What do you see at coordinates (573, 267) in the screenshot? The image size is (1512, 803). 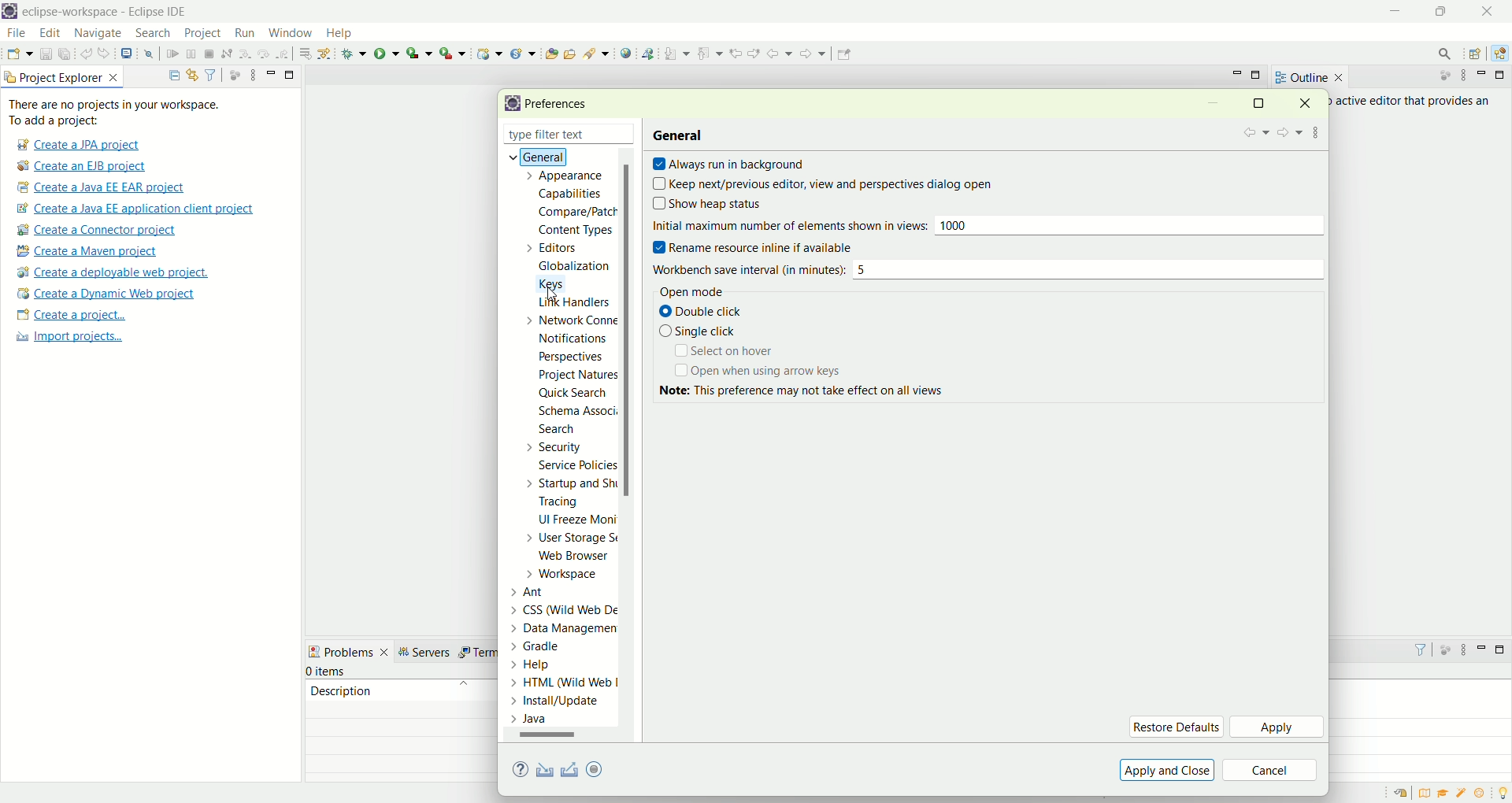 I see `globalization` at bounding box center [573, 267].